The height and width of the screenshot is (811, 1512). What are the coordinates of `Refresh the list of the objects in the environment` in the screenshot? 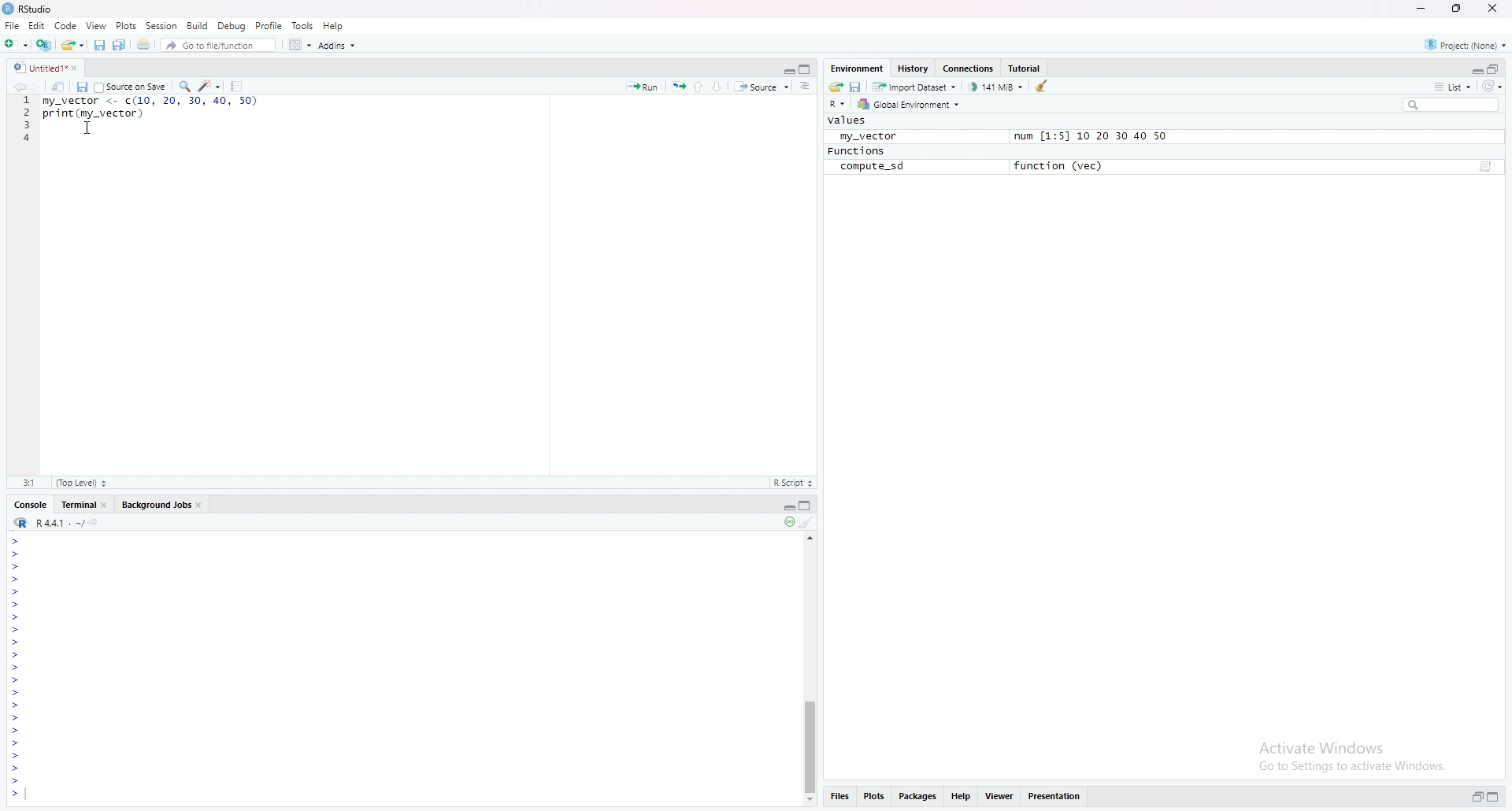 It's located at (1495, 87).